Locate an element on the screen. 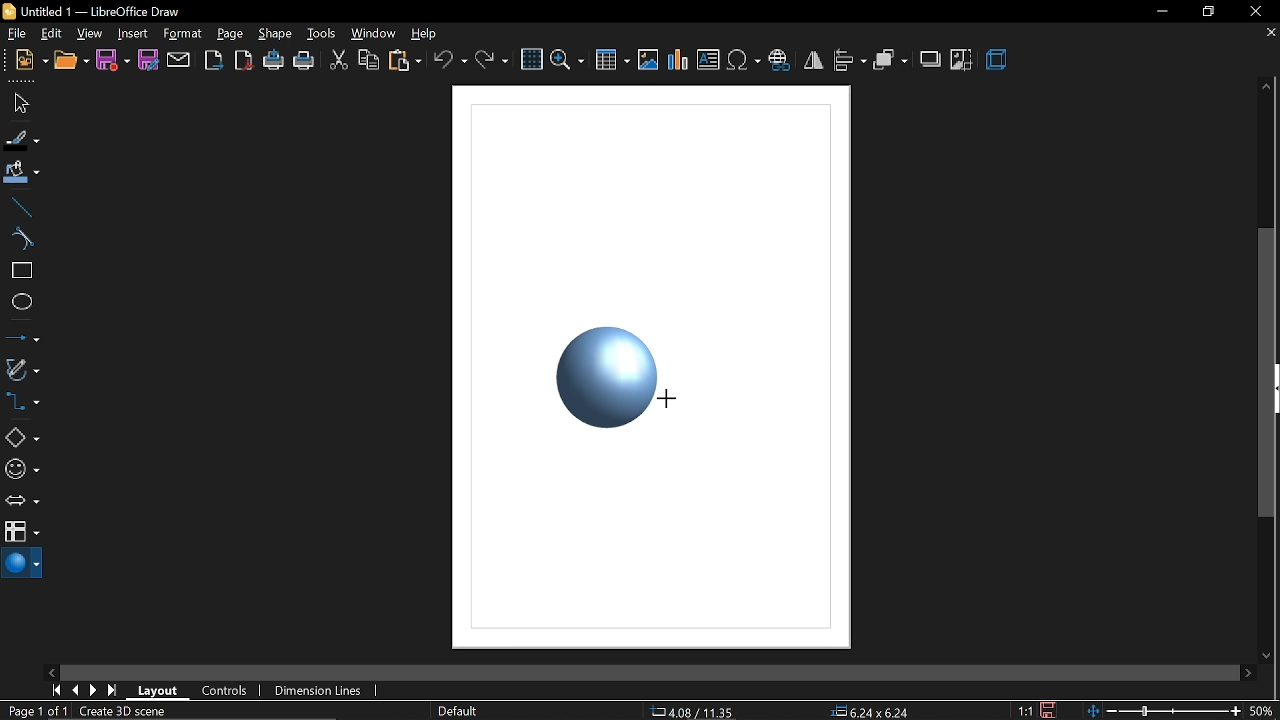 This screenshot has width=1280, height=720. redo is located at coordinates (491, 59).